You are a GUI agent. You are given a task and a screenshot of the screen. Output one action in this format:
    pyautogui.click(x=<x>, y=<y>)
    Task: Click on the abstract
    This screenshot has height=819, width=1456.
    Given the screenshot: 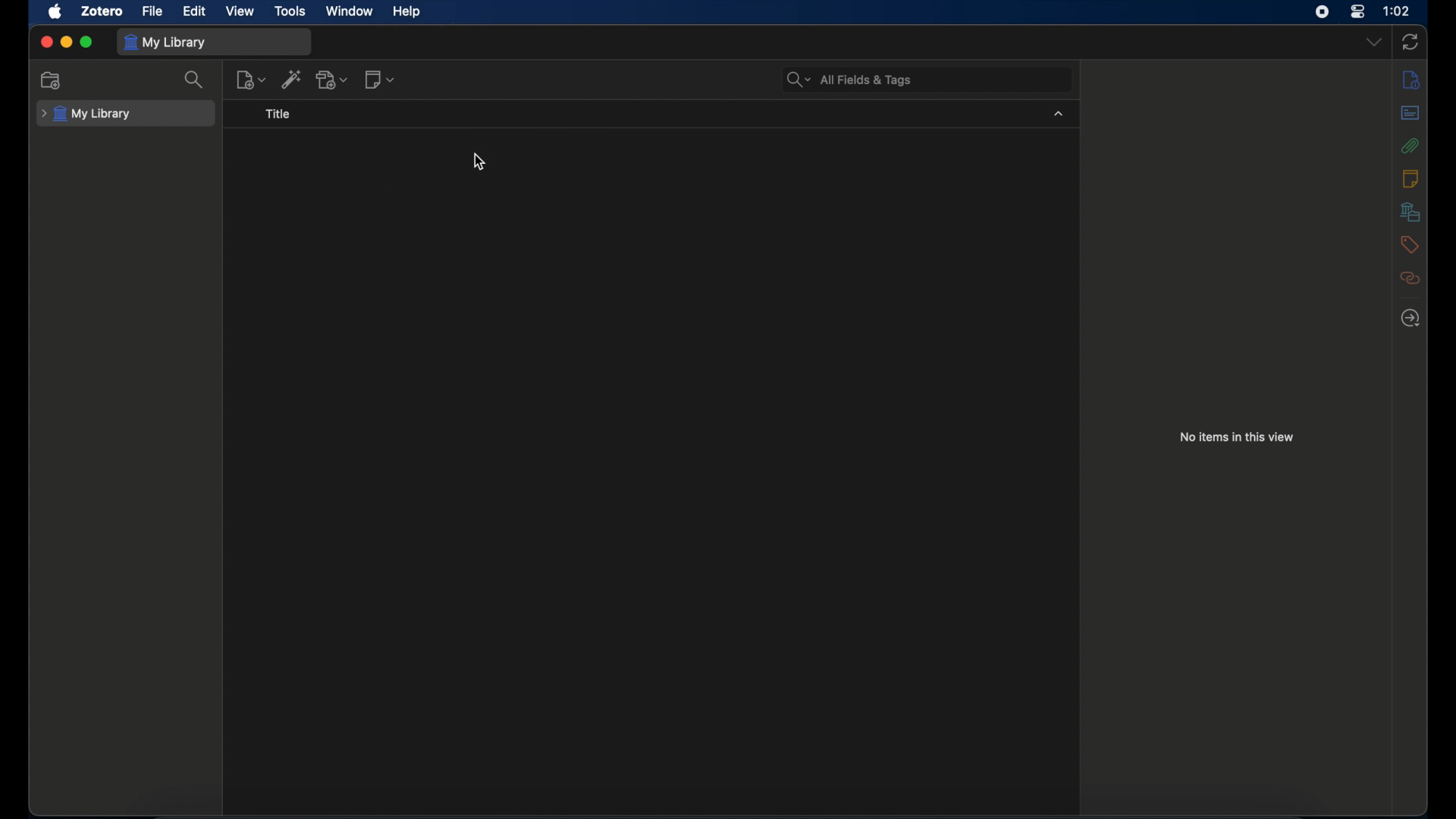 What is the action you would take?
    pyautogui.click(x=1411, y=112)
    